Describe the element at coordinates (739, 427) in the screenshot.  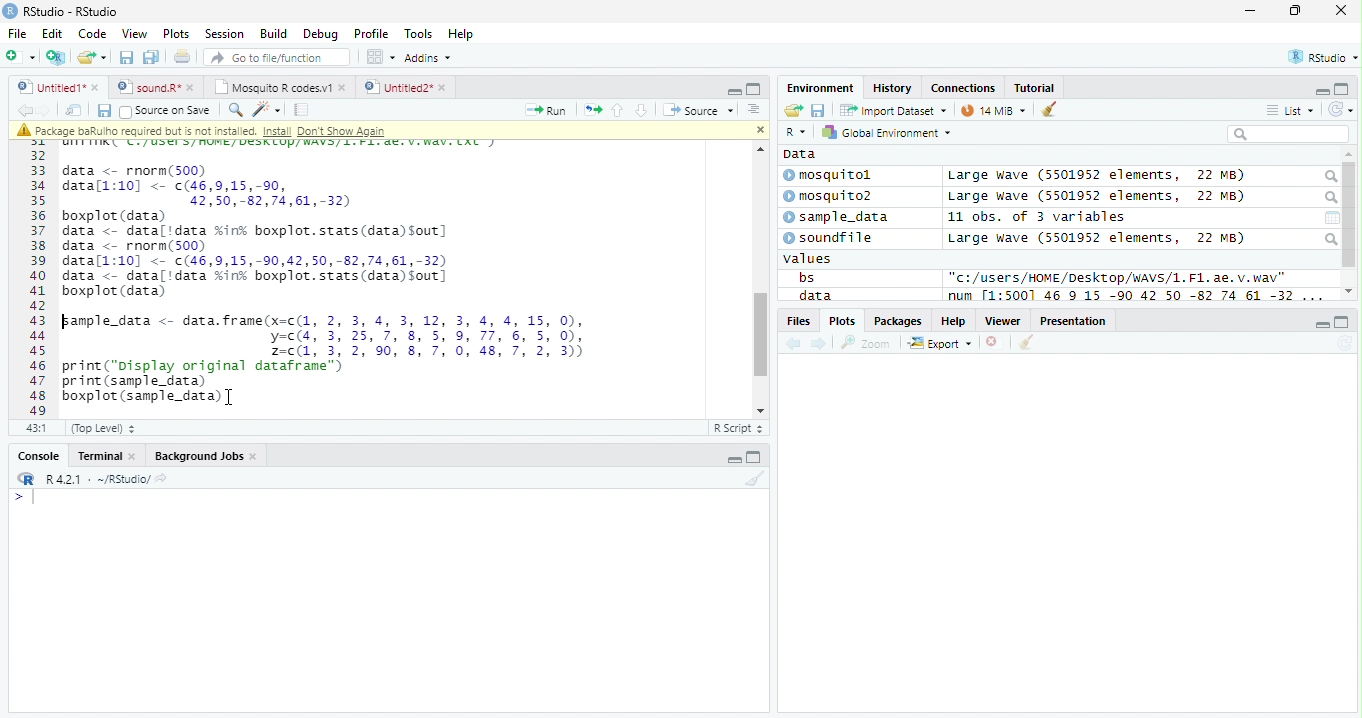
I see `R Script` at that location.